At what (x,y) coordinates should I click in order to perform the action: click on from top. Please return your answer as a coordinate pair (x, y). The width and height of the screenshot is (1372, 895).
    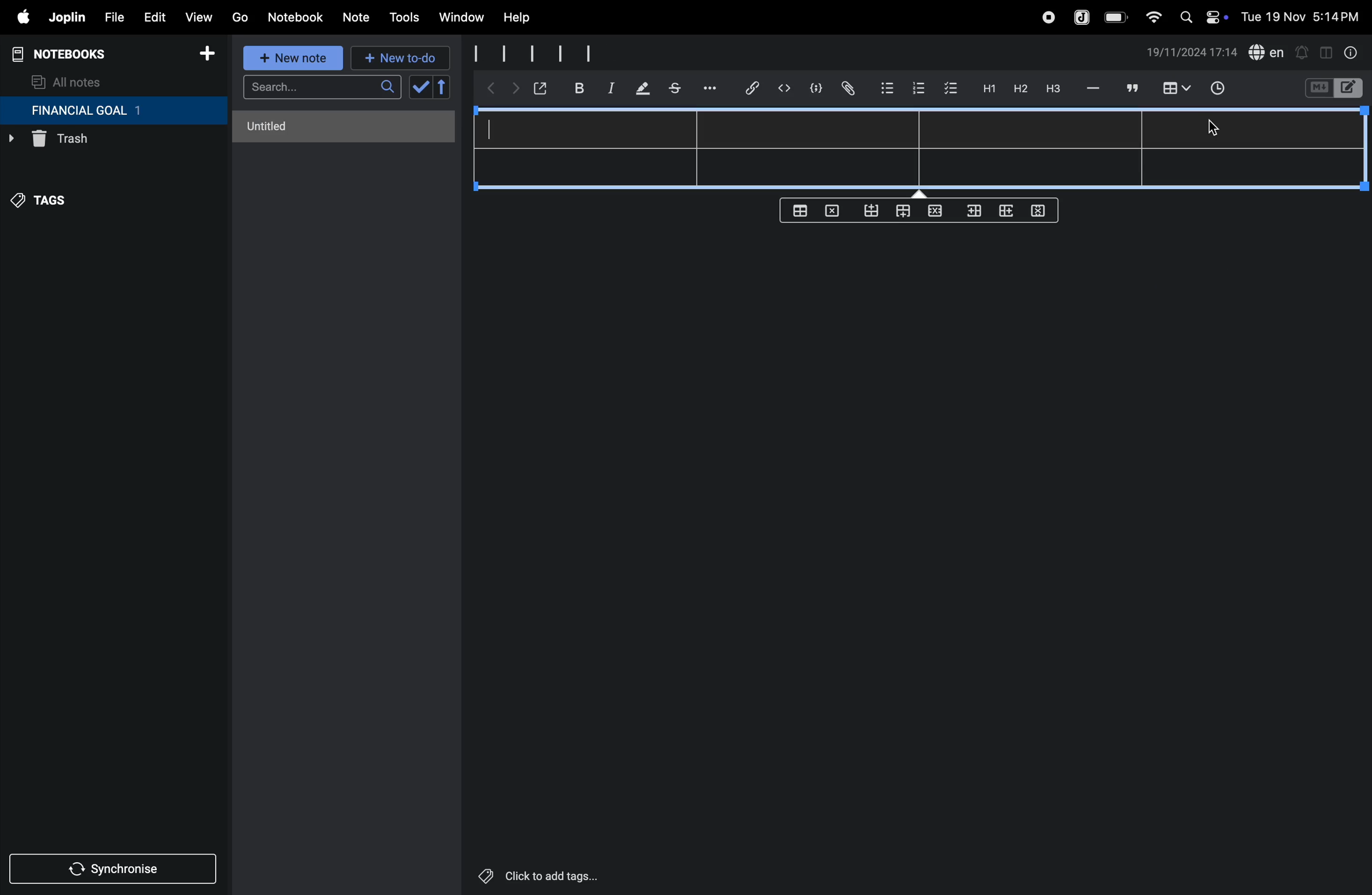
    Looking at the image, I should click on (900, 212).